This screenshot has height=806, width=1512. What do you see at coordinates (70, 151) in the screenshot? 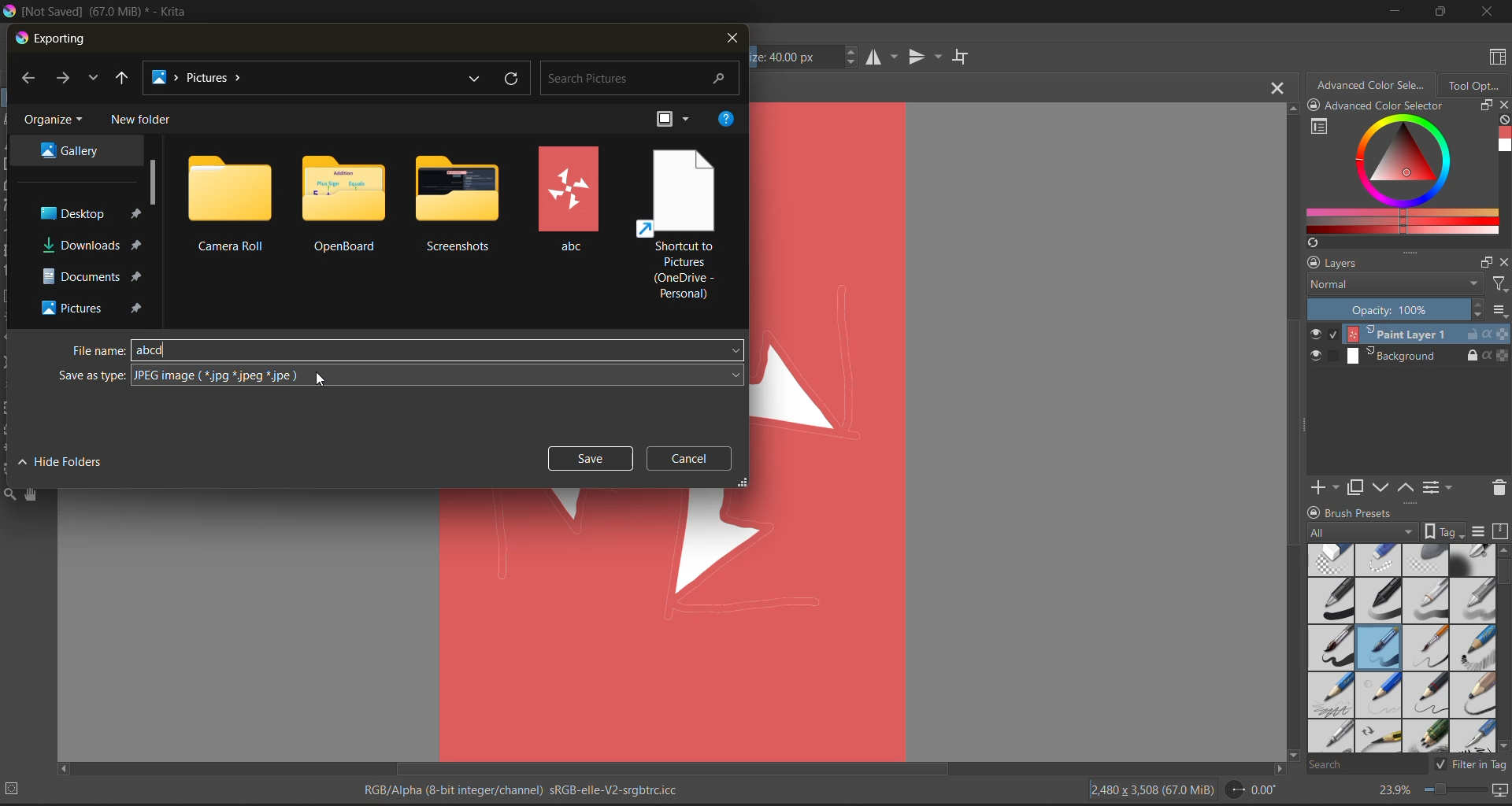
I see `file destination` at bounding box center [70, 151].